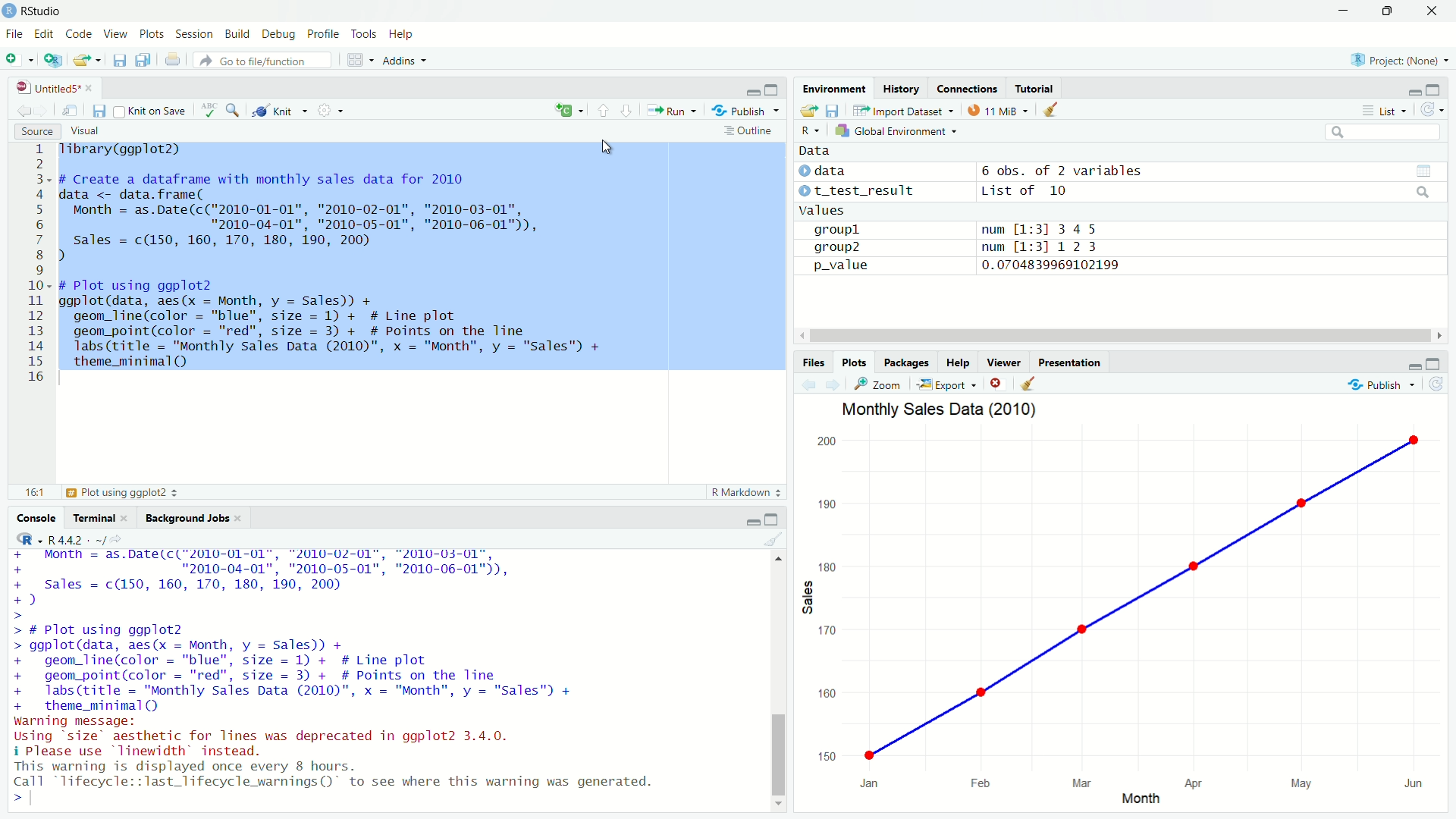 The image size is (1456, 819). I want to click on Visual, so click(86, 130).